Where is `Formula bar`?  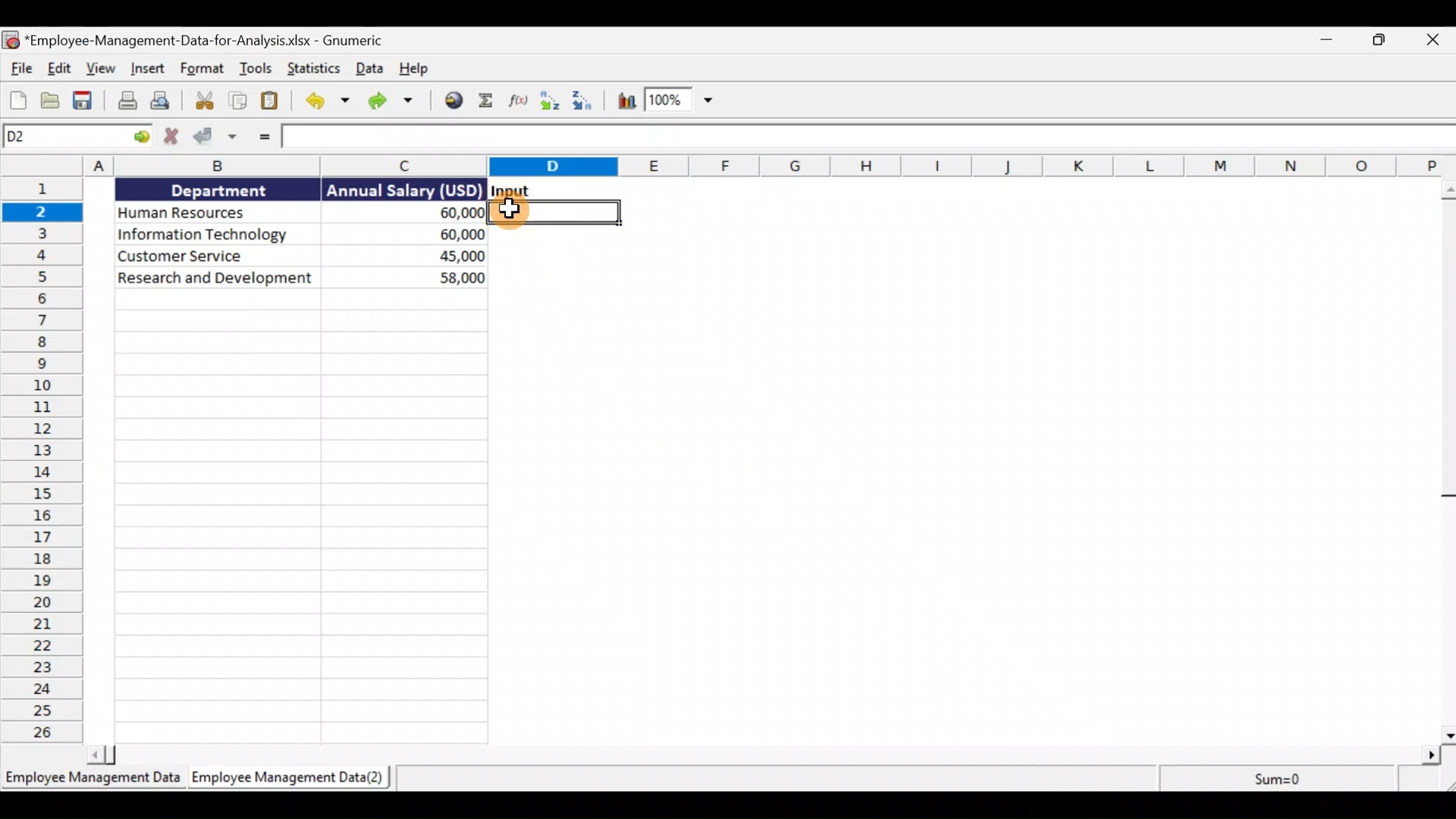
Formula bar is located at coordinates (868, 140).